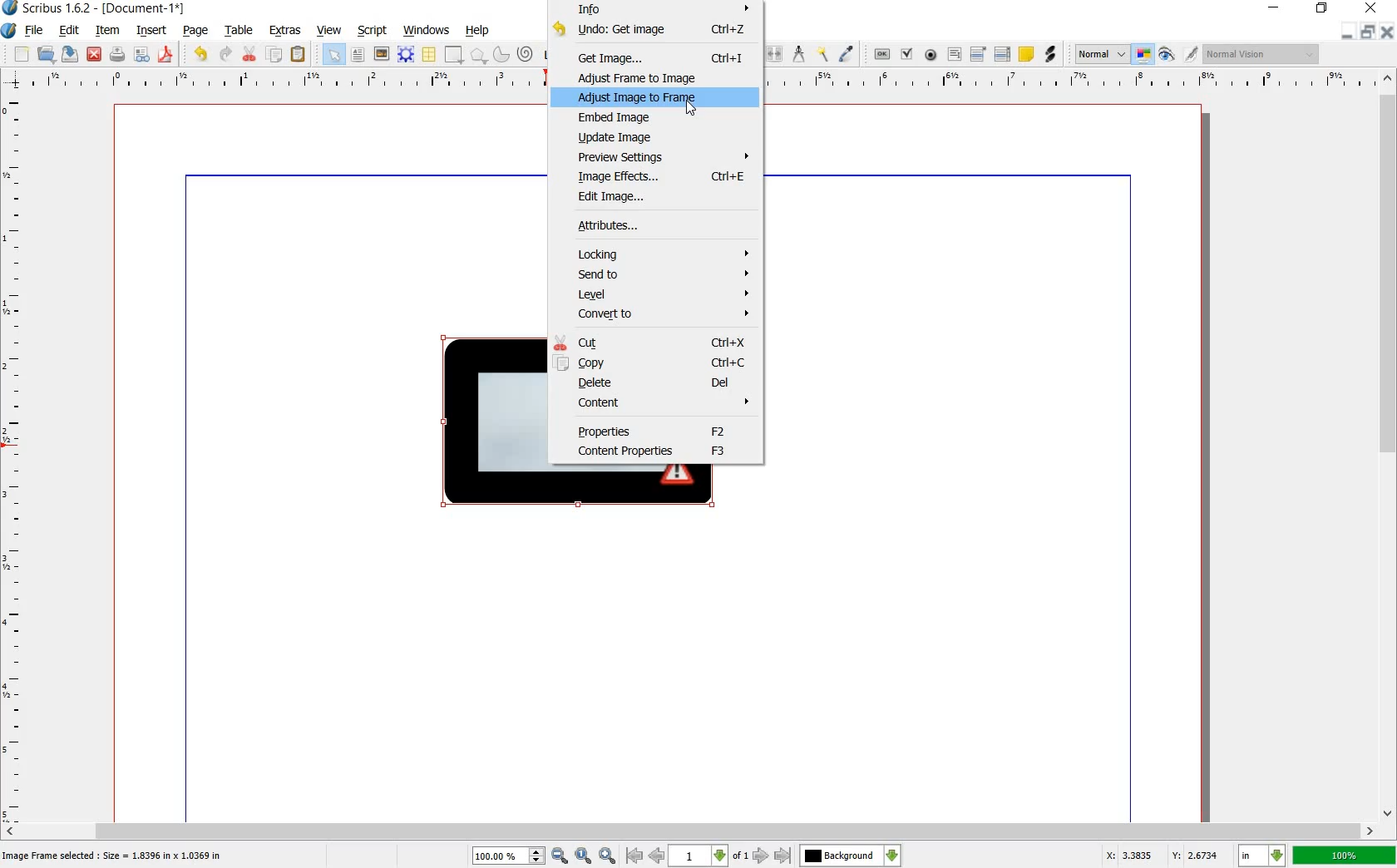 This screenshot has height=868, width=1397. What do you see at coordinates (115, 855) in the screenshot?
I see `Image frame selected: Size= 1.8396 in * 1.0369 in` at bounding box center [115, 855].